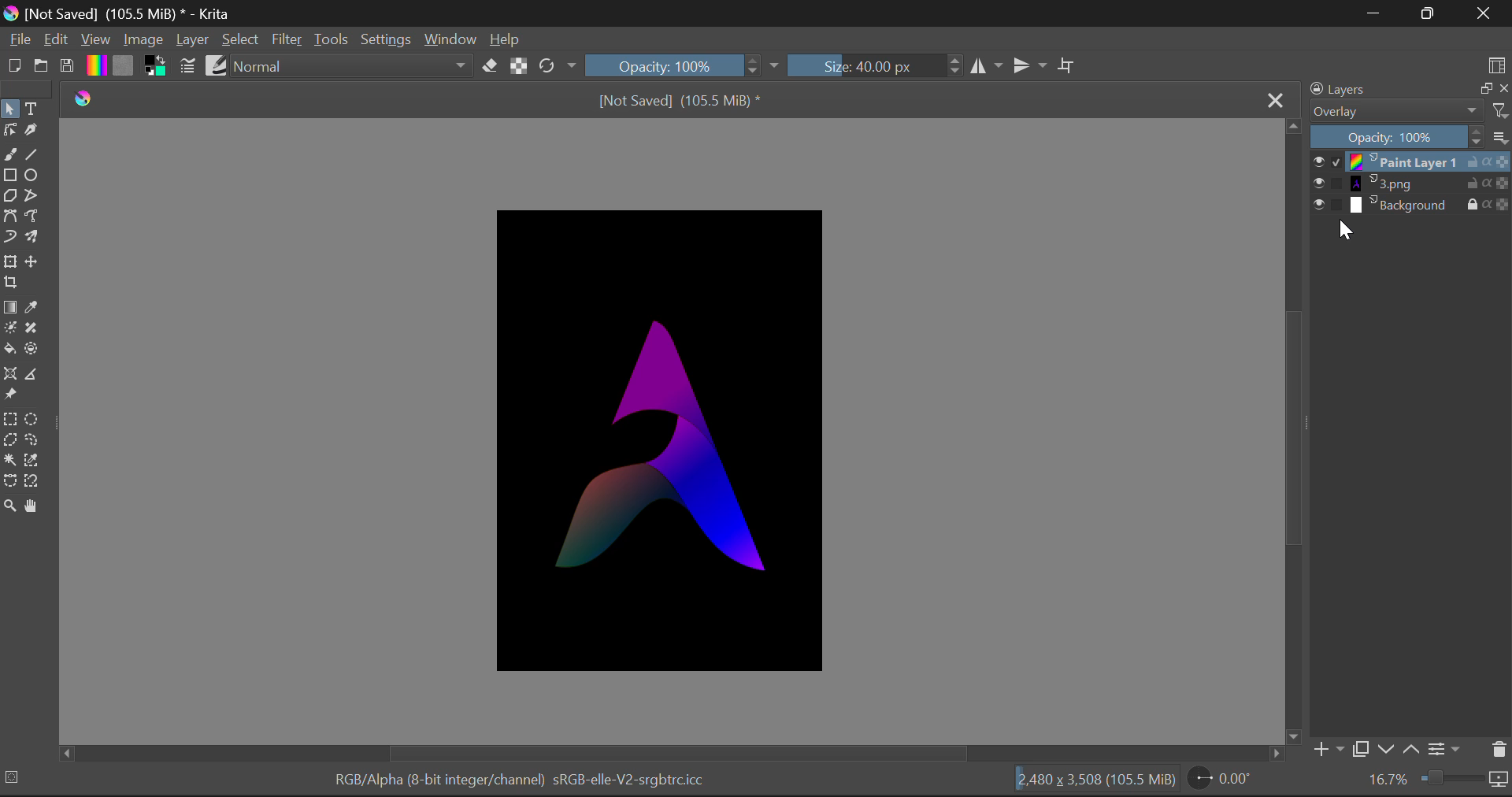  Describe the element at coordinates (11, 307) in the screenshot. I see `Gradient Fill` at that location.